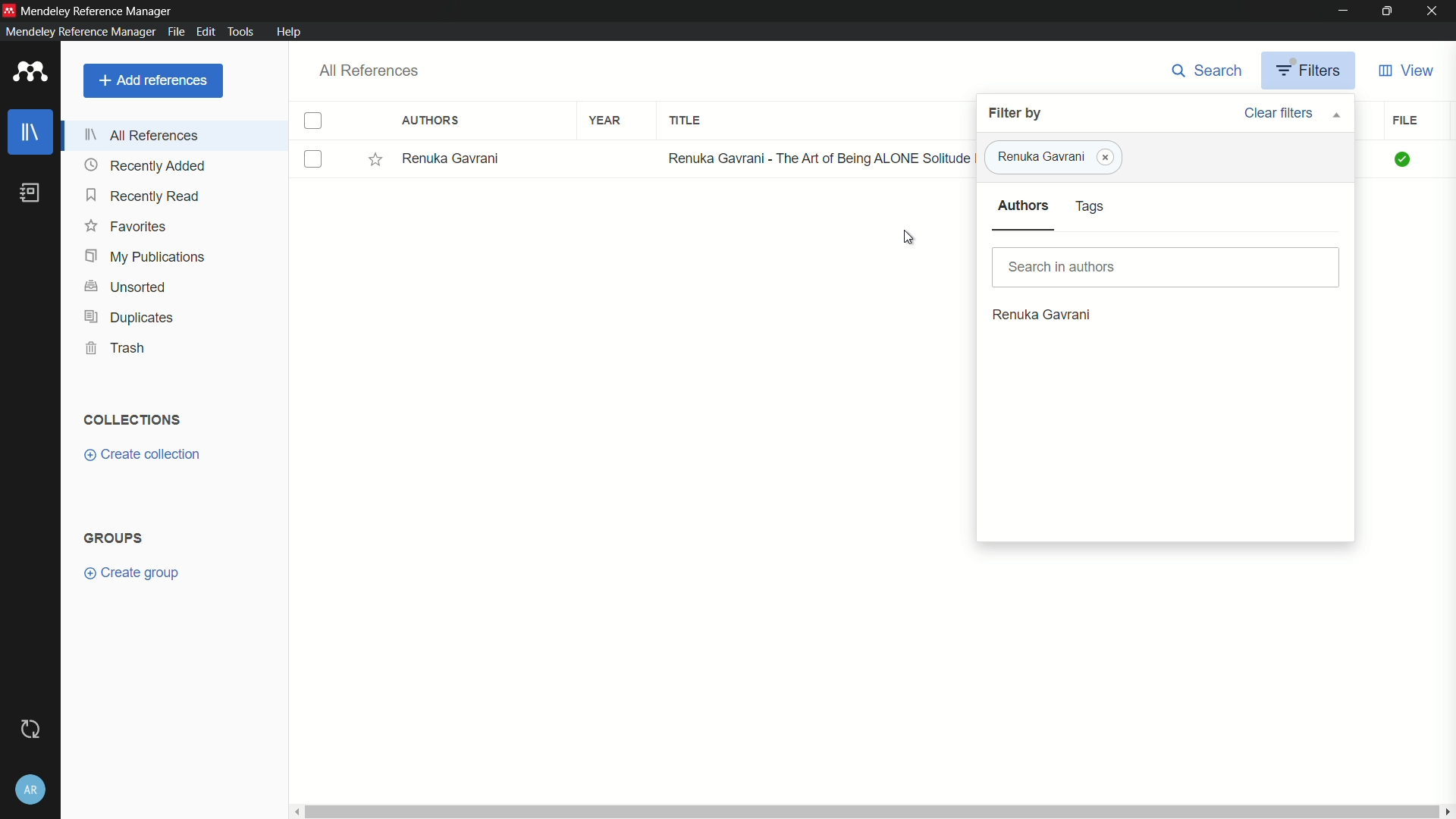  I want to click on Hands-on Machine Learning with Scikit-Learn, Keras, and TensorFlow Conce..., so click(819, 157).